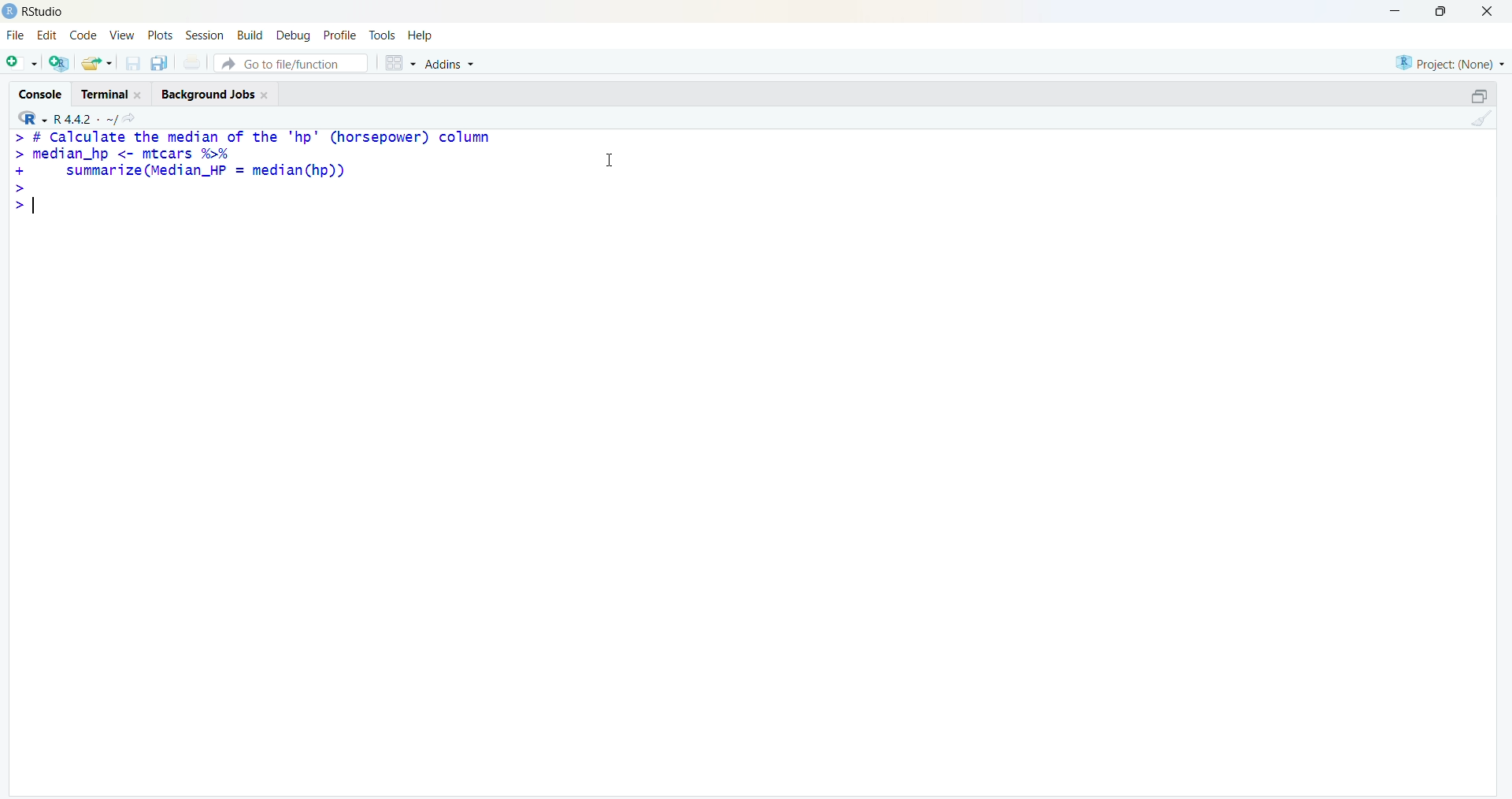 This screenshot has width=1512, height=799. What do you see at coordinates (42, 95) in the screenshot?
I see `console` at bounding box center [42, 95].